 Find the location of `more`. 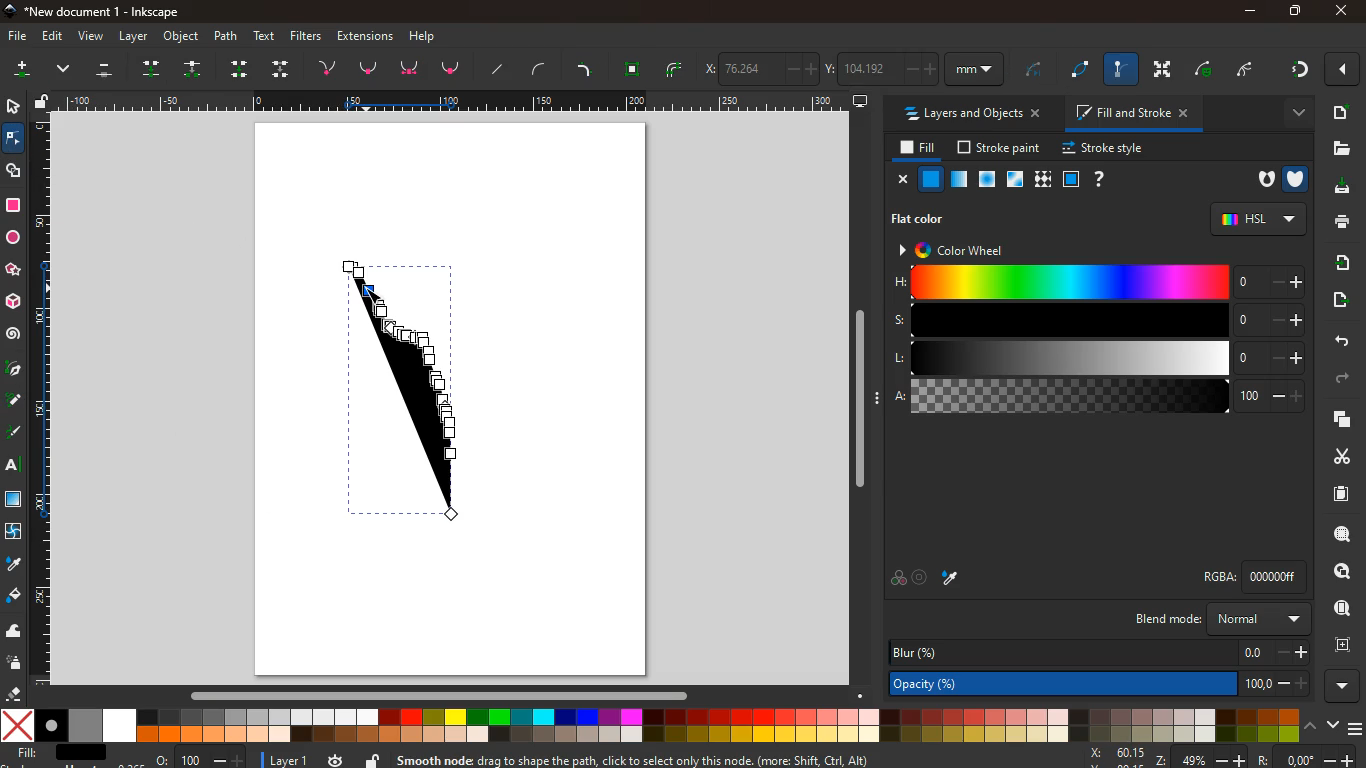

more is located at coordinates (21, 72).